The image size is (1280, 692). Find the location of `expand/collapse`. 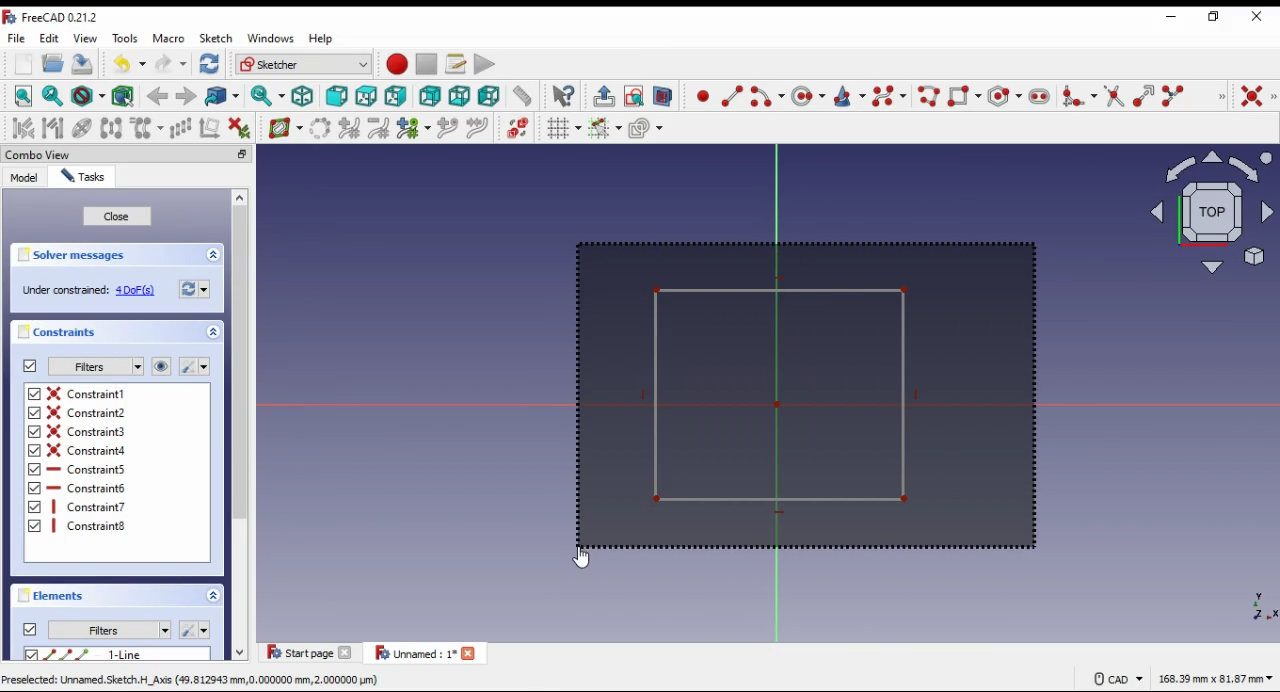

expand/collapse is located at coordinates (214, 332).